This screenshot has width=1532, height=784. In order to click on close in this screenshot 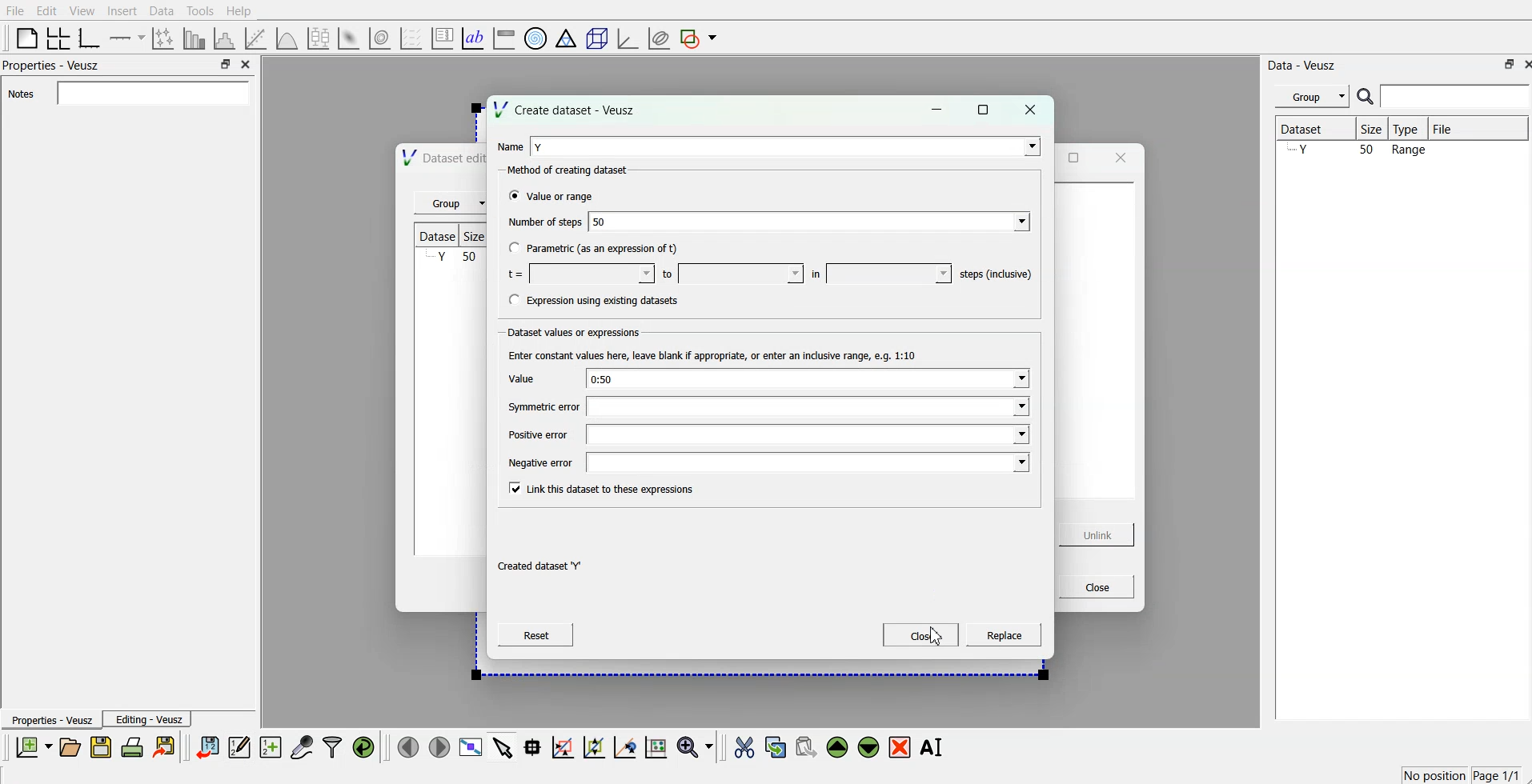, I will do `click(1522, 64)`.